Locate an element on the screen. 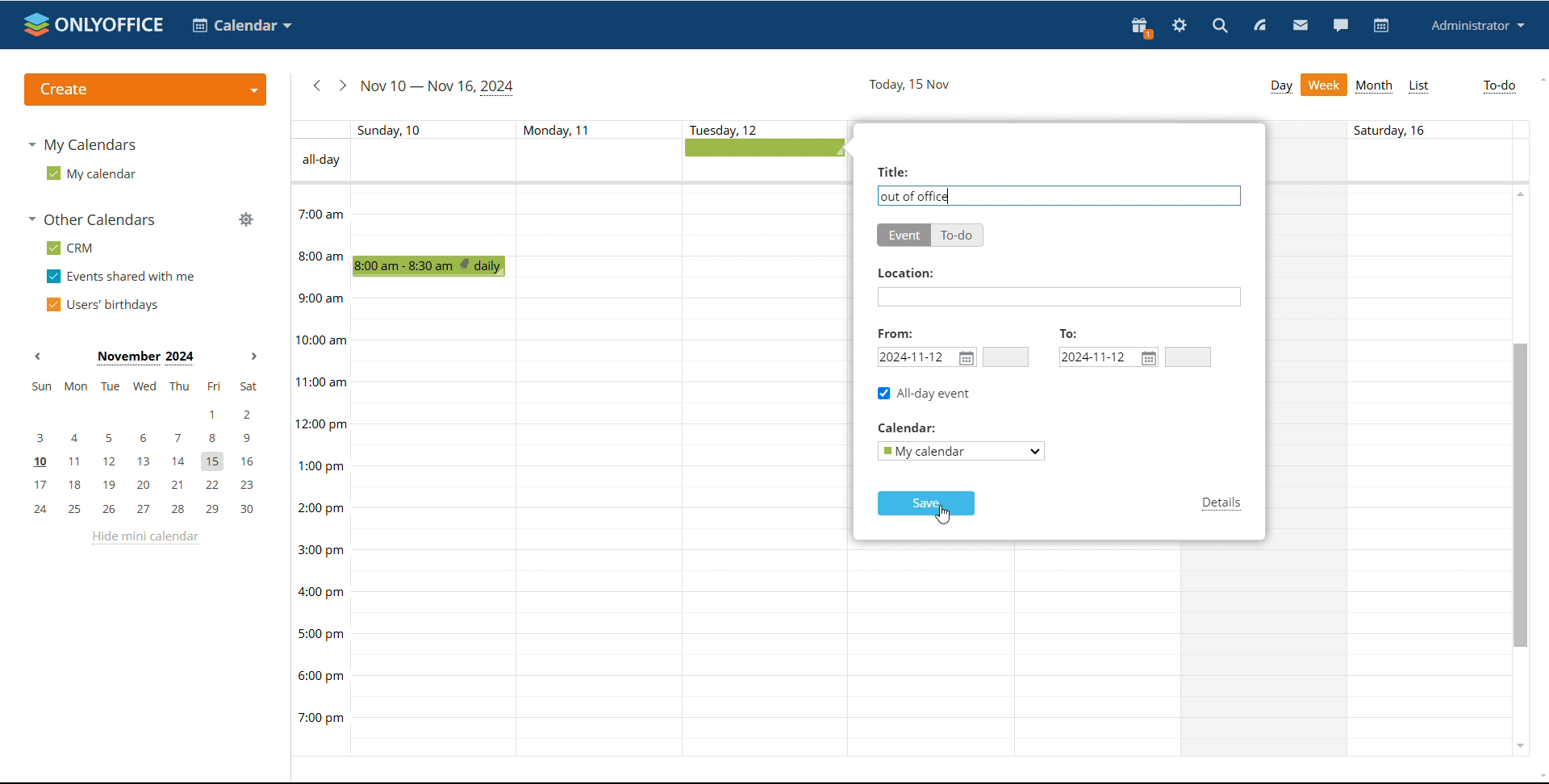 The height and width of the screenshot is (784, 1549). add location is located at coordinates (1058, 298).